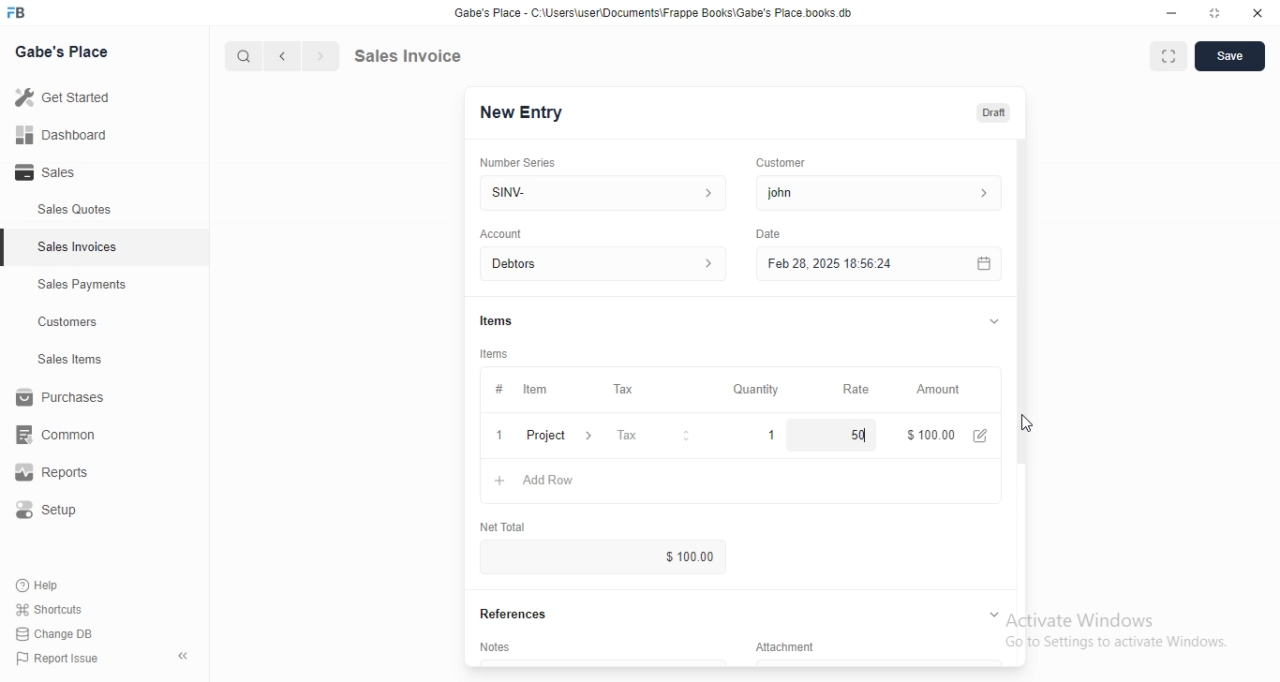 The width and height of the screenshot is (1280, 682). What do you see at coordinates (983, 435) in the screenshot?
I see `edit` at bounding box center [983, 435].